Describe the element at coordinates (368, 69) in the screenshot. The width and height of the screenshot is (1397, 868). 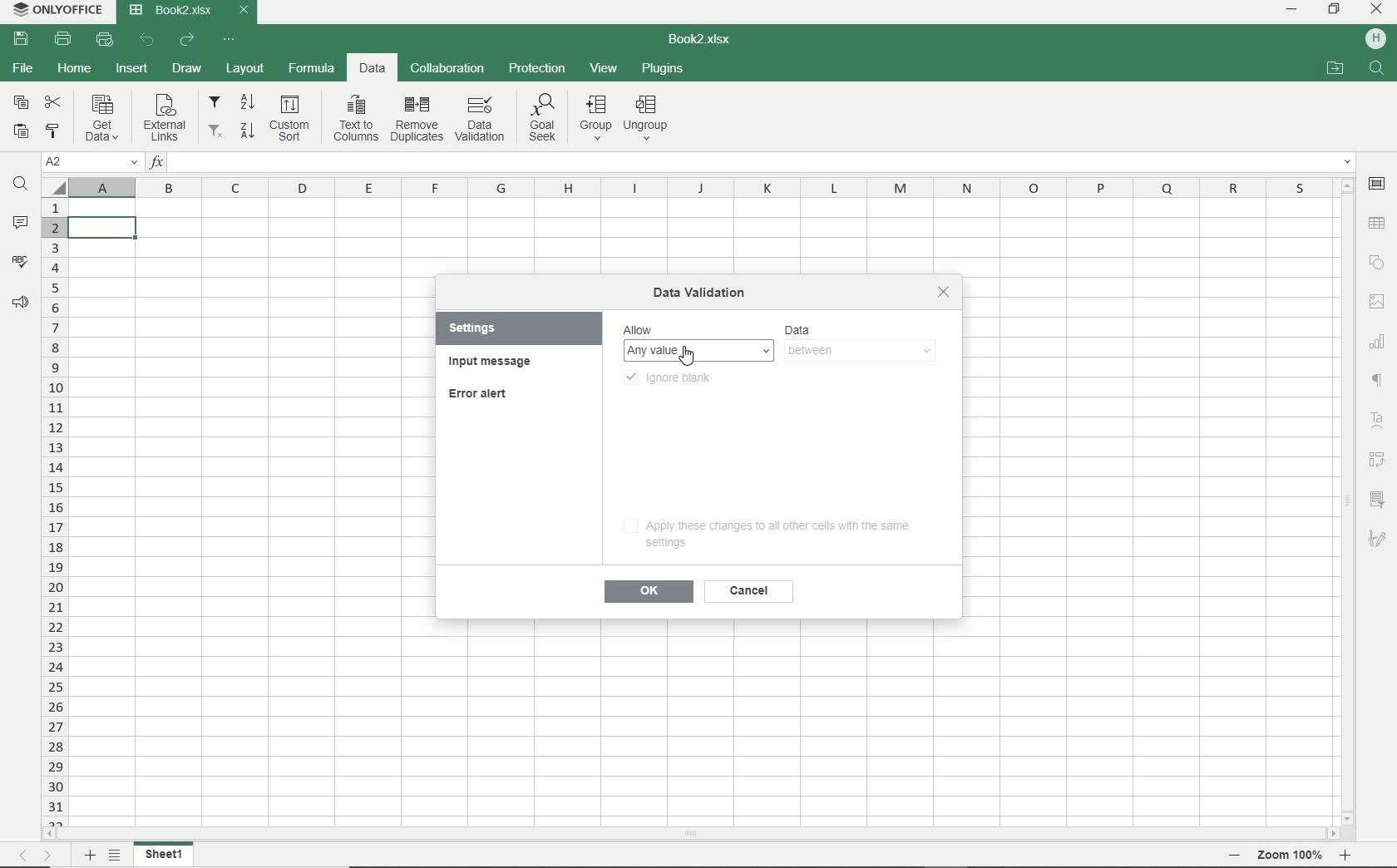
I see `DATA` at that location.